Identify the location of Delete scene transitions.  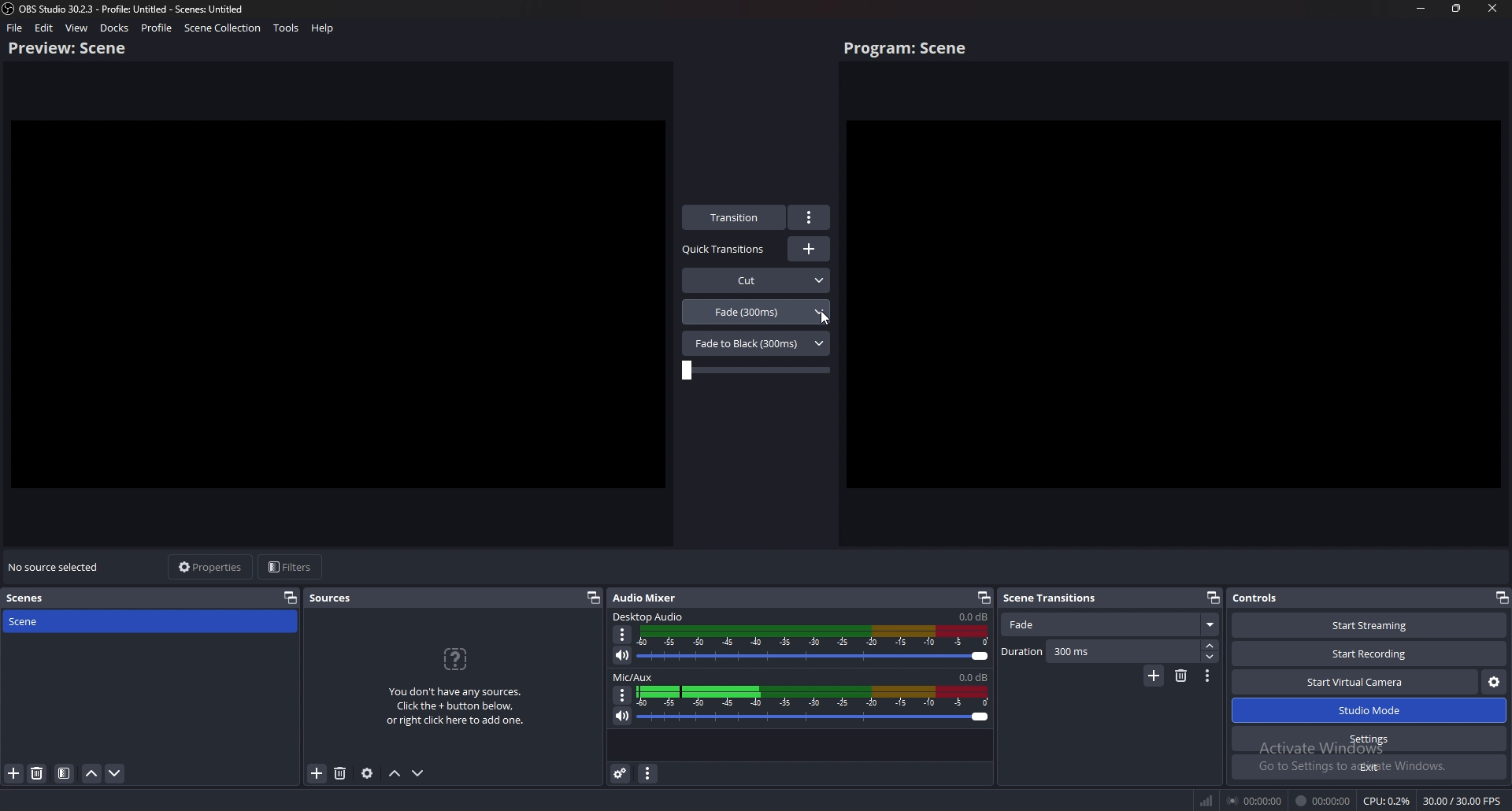
(1181, 676).